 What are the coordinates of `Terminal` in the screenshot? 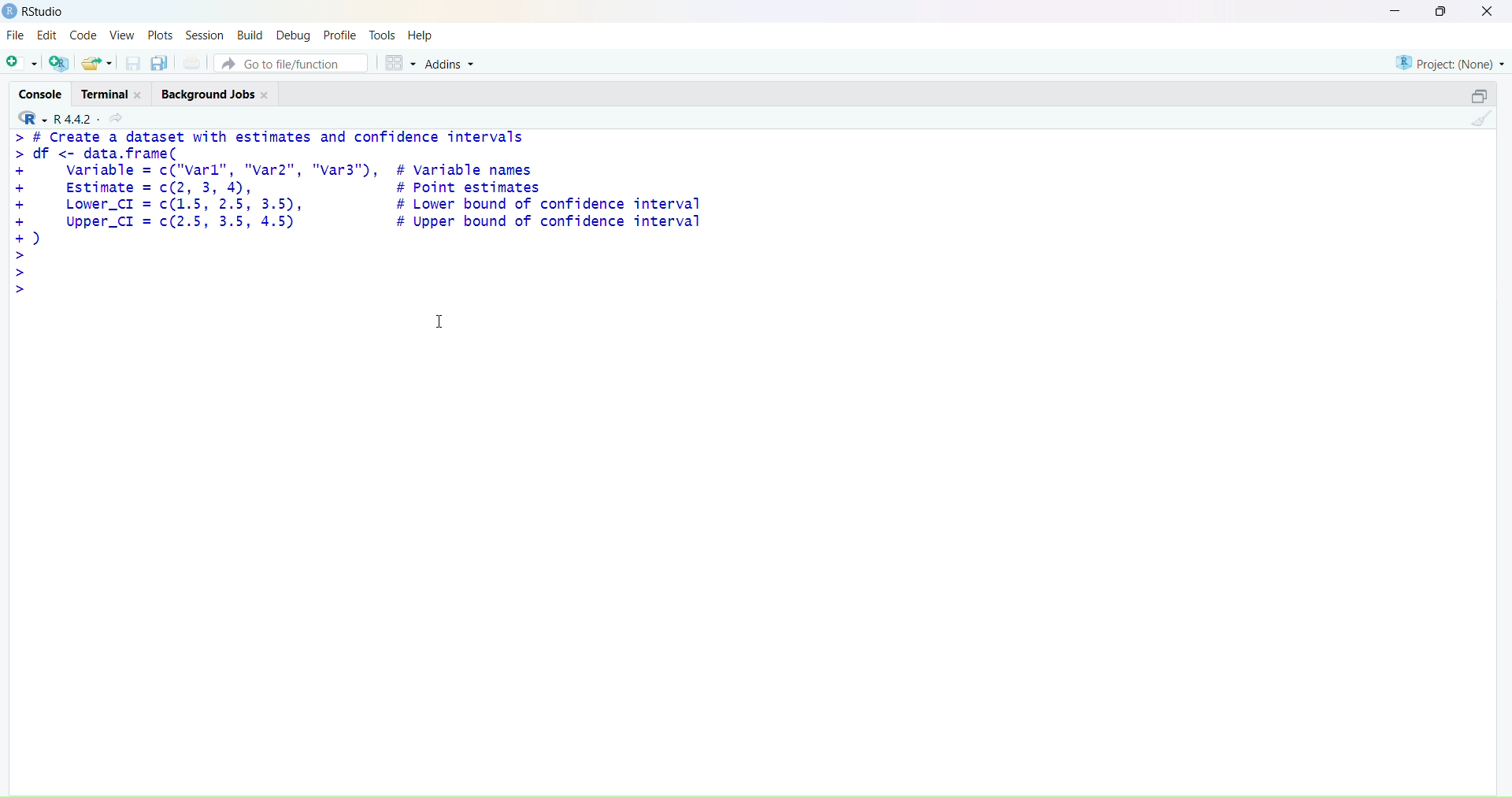 It's located at (115, 93).